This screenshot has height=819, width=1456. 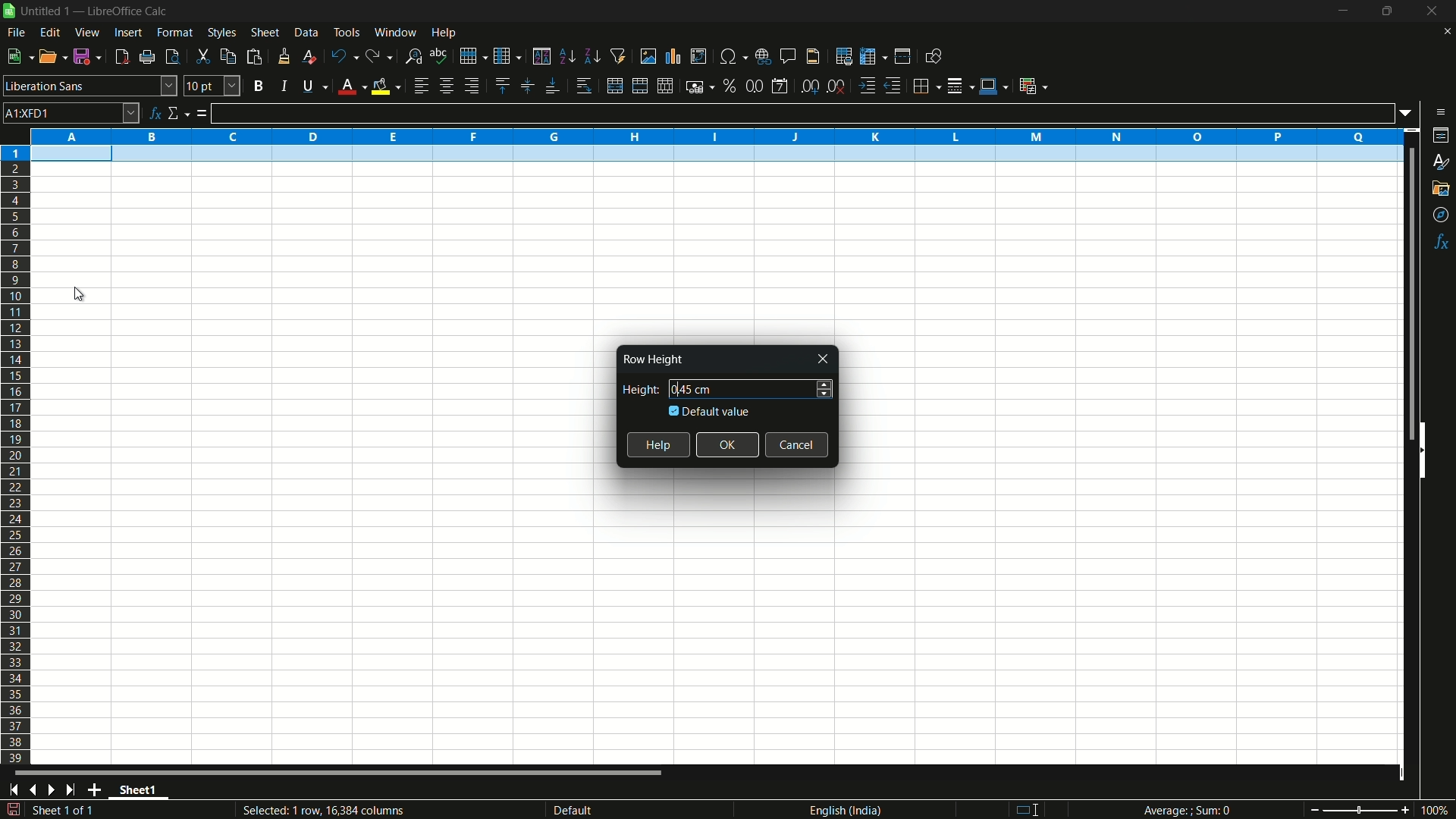 I want to click on save, so click(x=89, y=57).